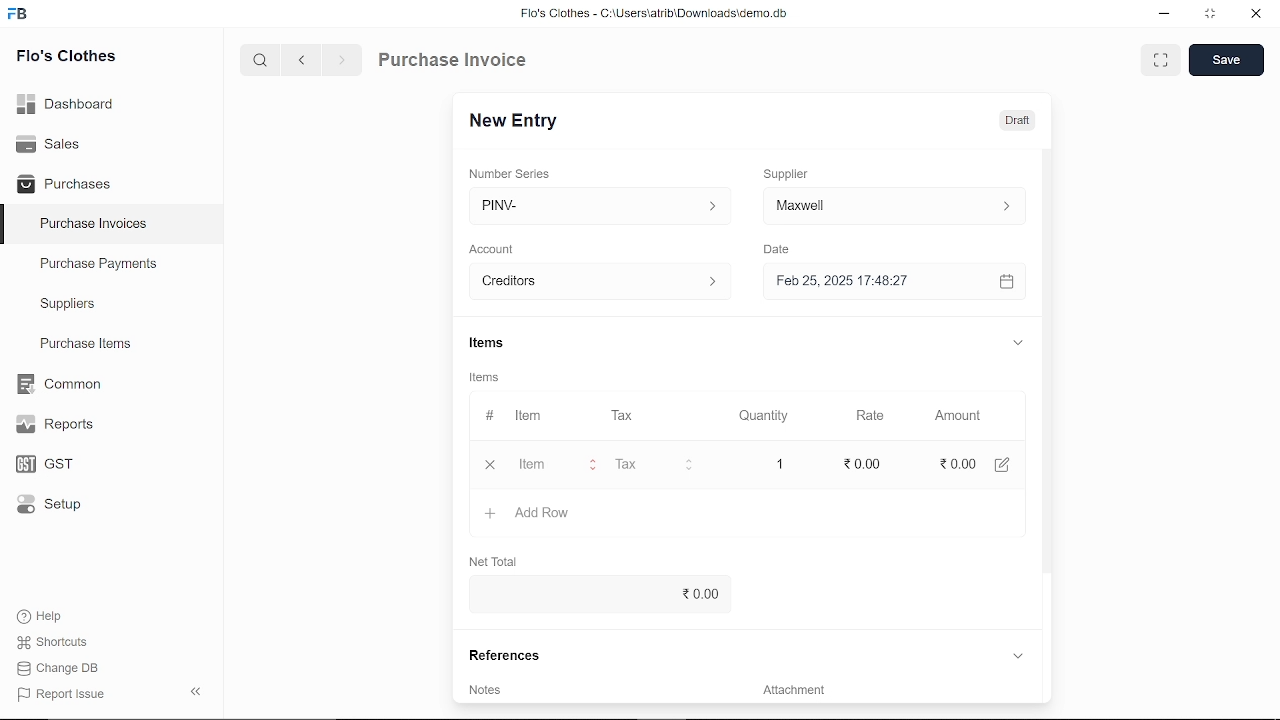  Describe the element at coordinates (192, 693) in the screenshot. I see `hide` at that location.